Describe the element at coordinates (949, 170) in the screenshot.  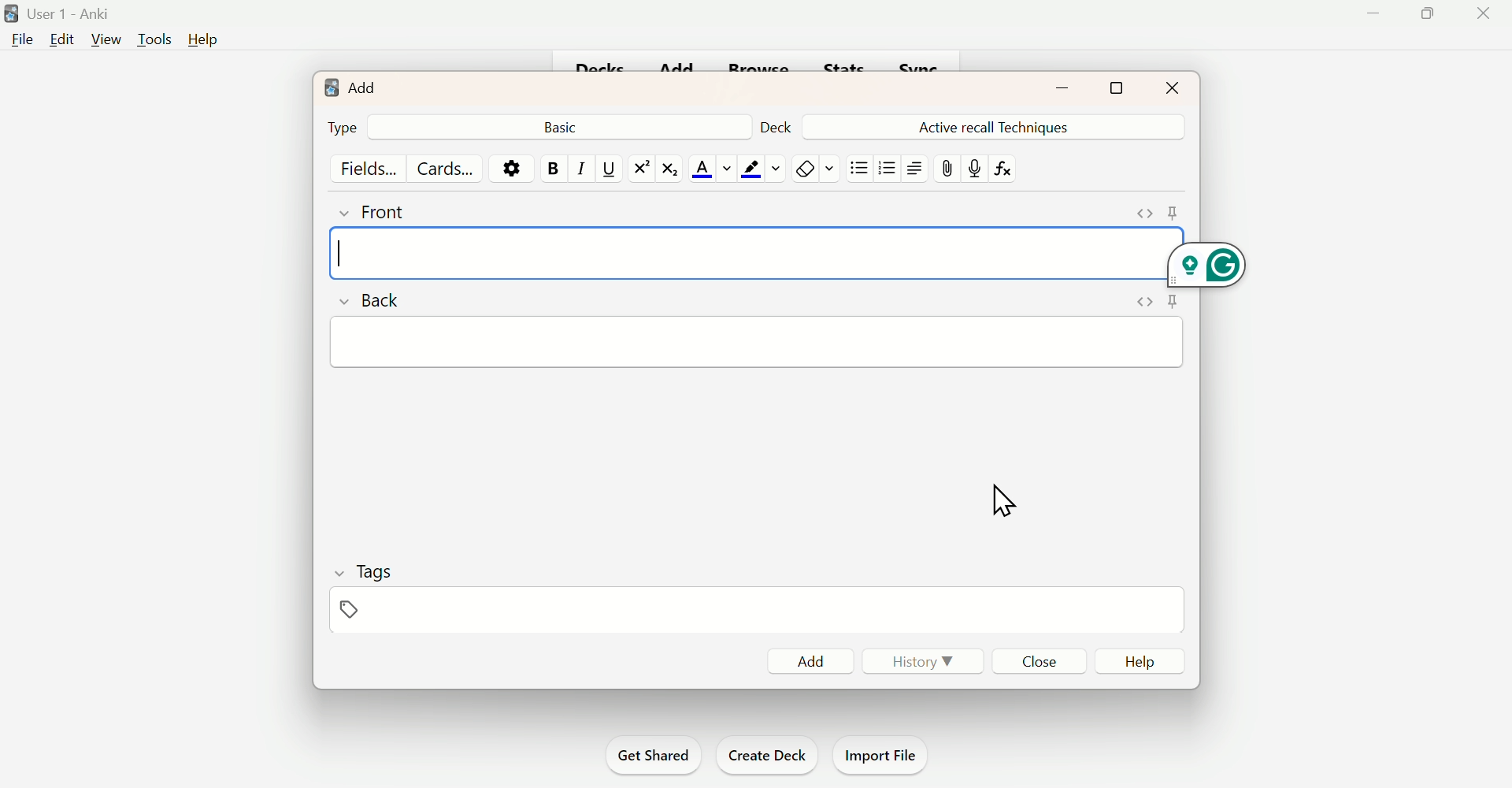
I see `Attach file` at that location.